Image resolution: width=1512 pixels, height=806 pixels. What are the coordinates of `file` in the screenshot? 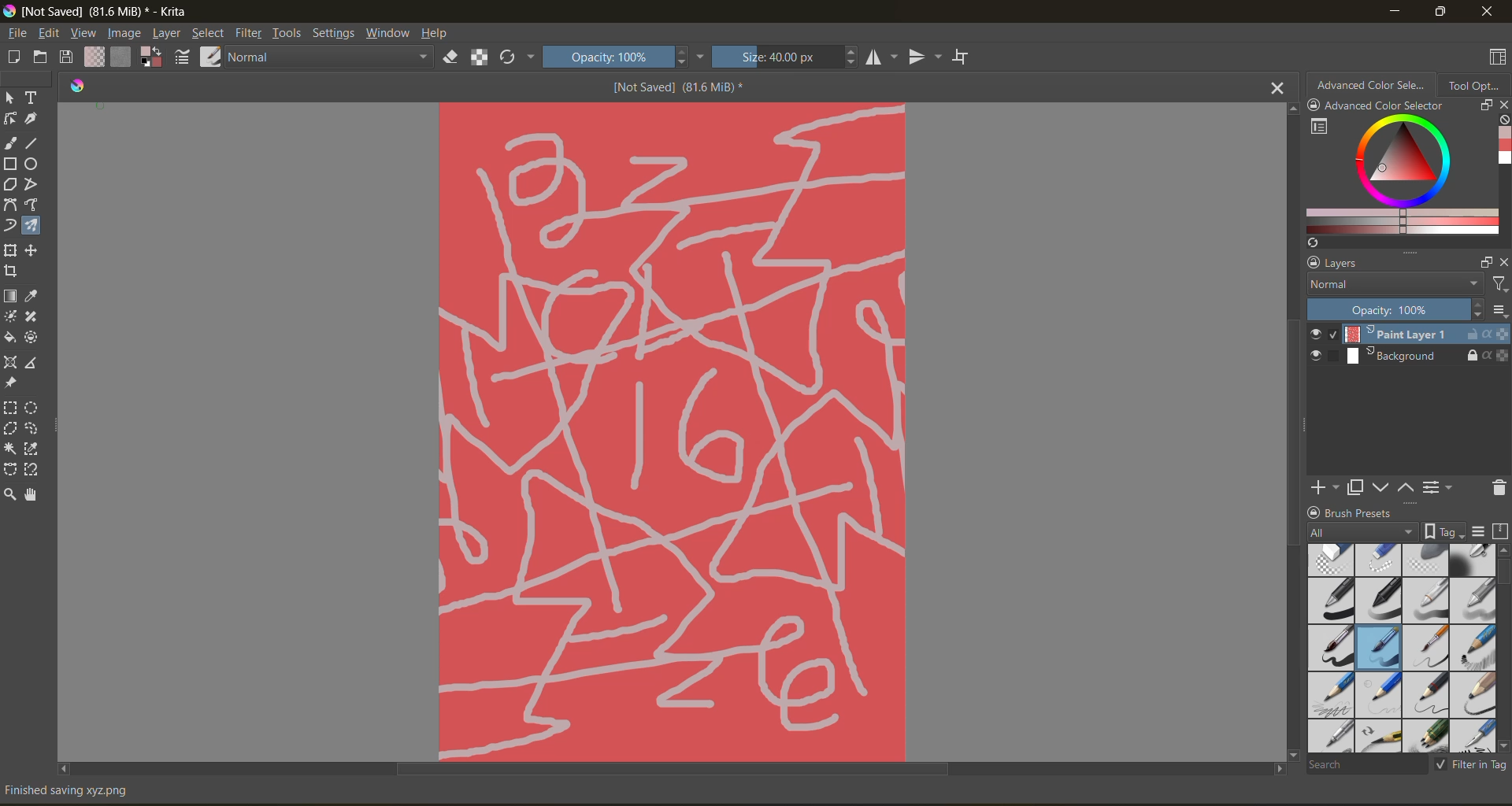 It's located at (18, 31).